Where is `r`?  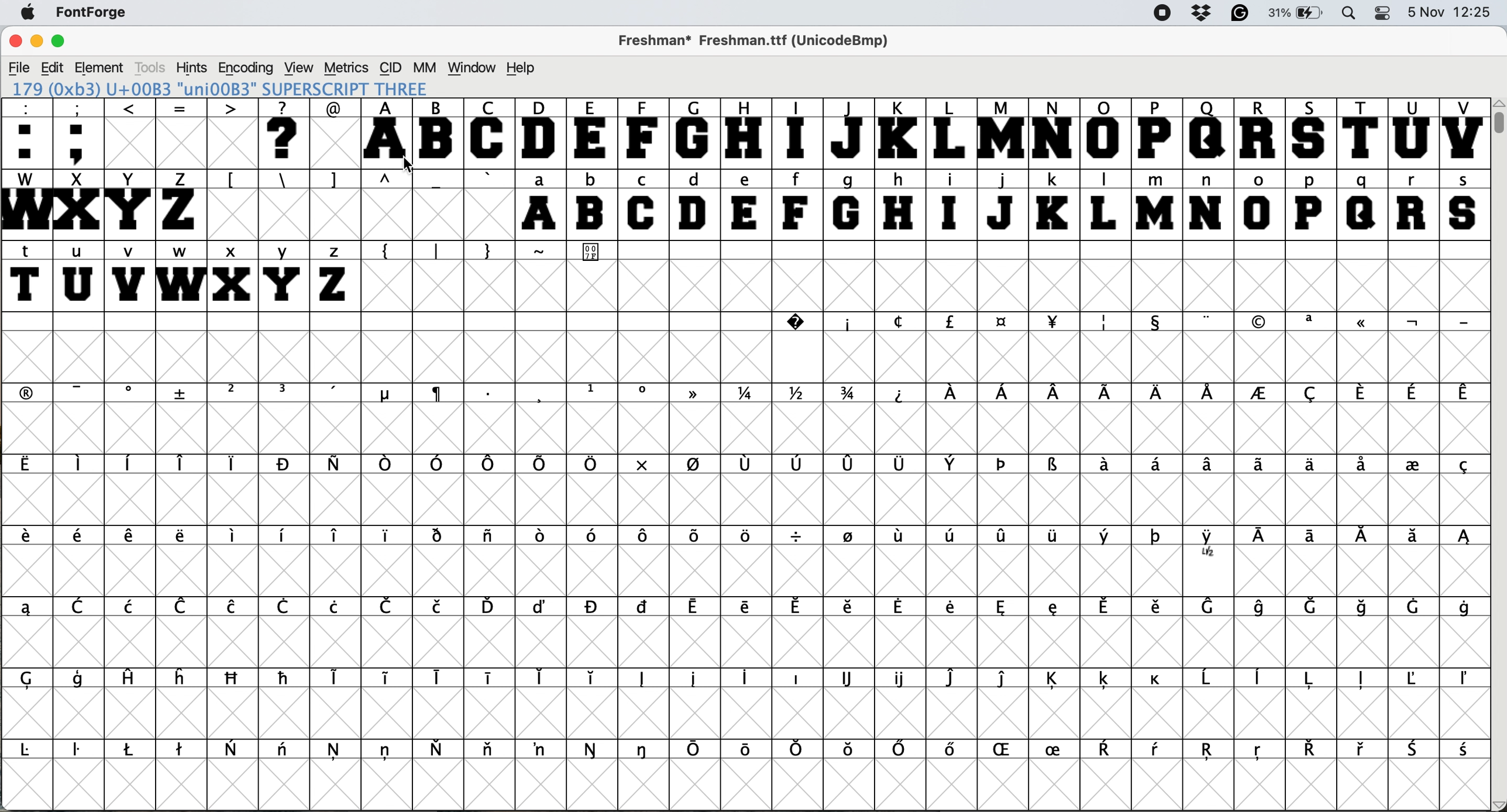 r is located at coordinates (1414, 205).